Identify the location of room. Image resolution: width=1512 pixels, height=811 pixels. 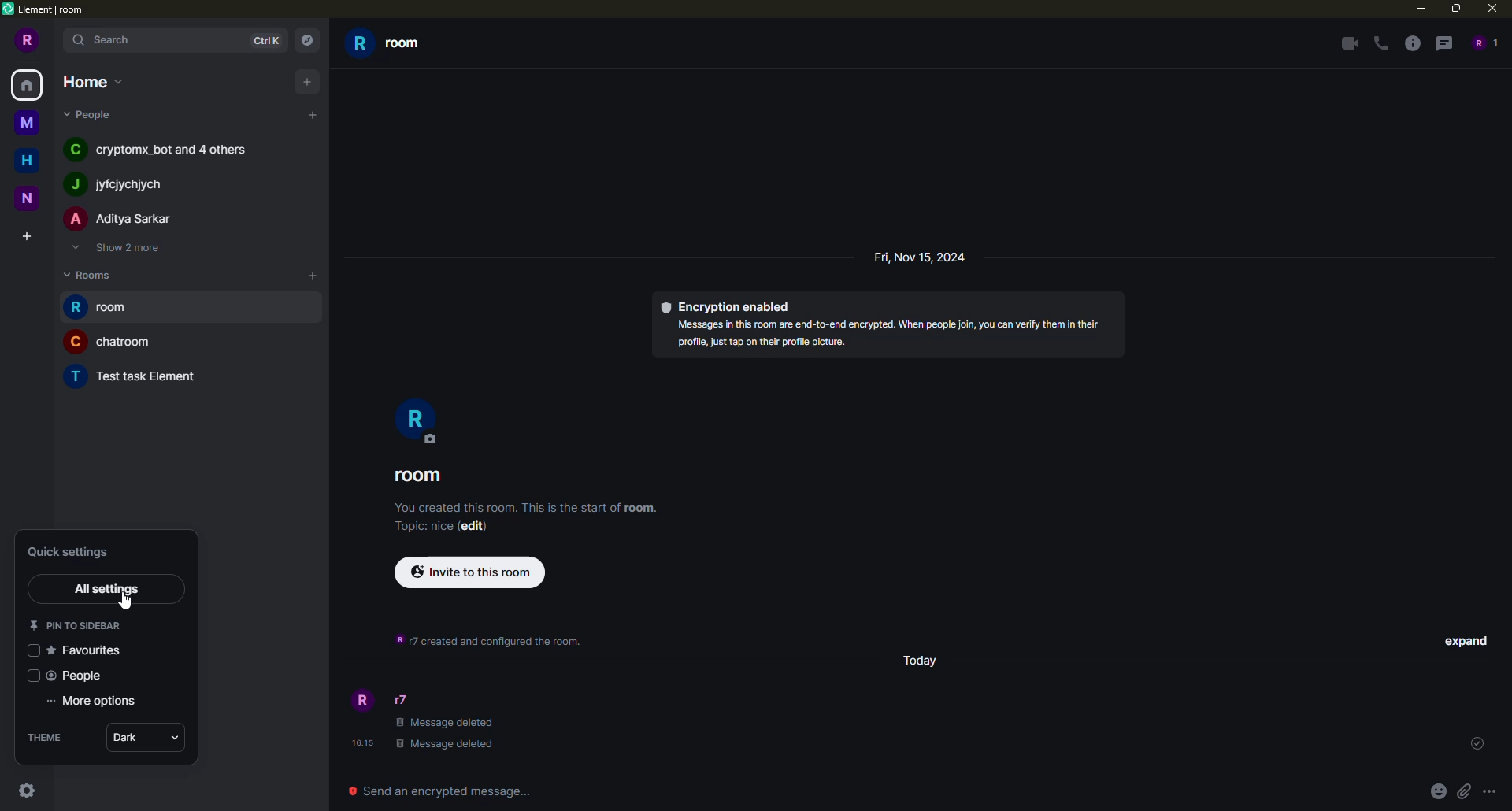
(105, 308).